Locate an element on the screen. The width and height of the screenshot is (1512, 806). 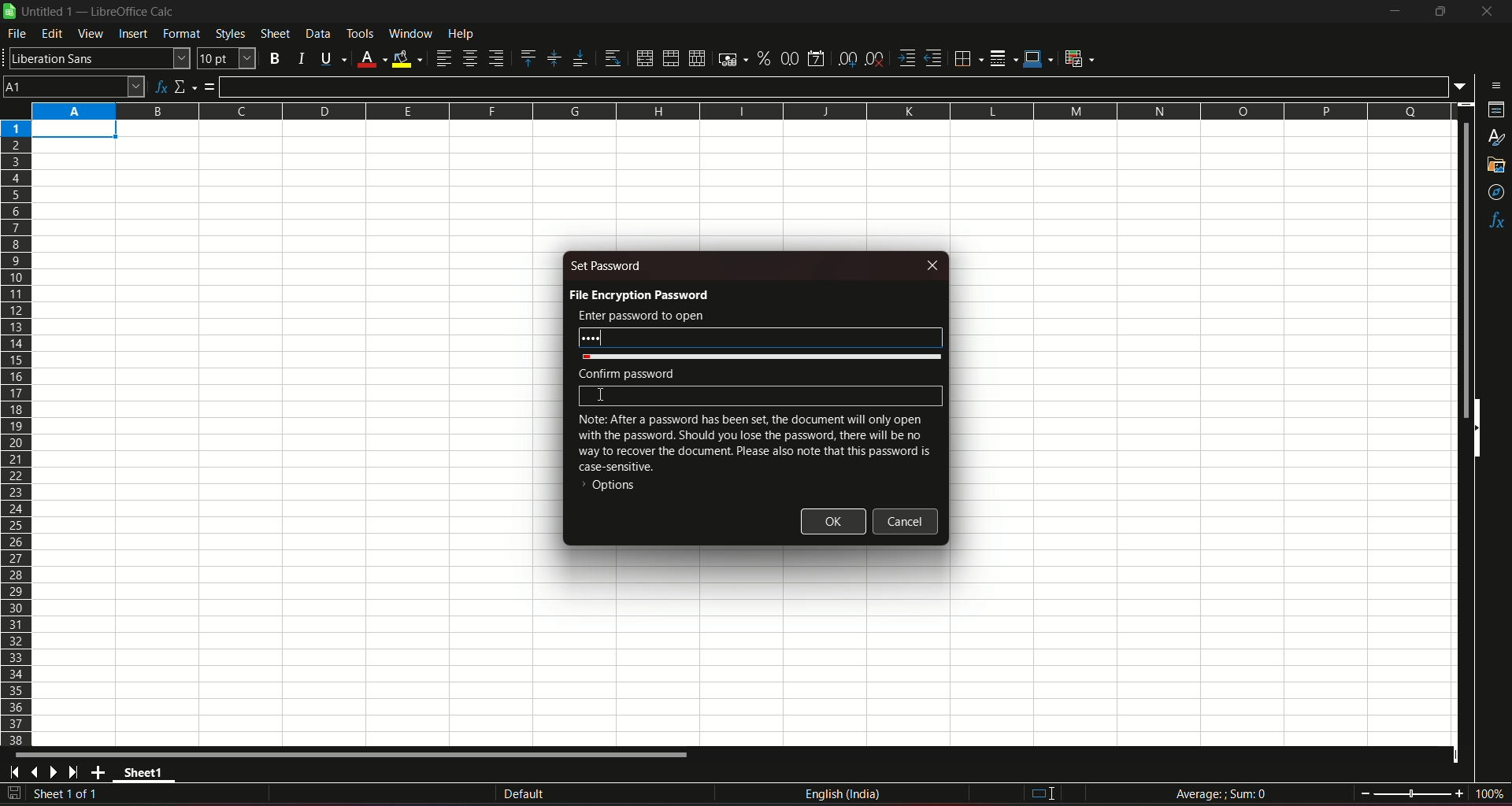
last sheet is located at coordinates (74, 772).